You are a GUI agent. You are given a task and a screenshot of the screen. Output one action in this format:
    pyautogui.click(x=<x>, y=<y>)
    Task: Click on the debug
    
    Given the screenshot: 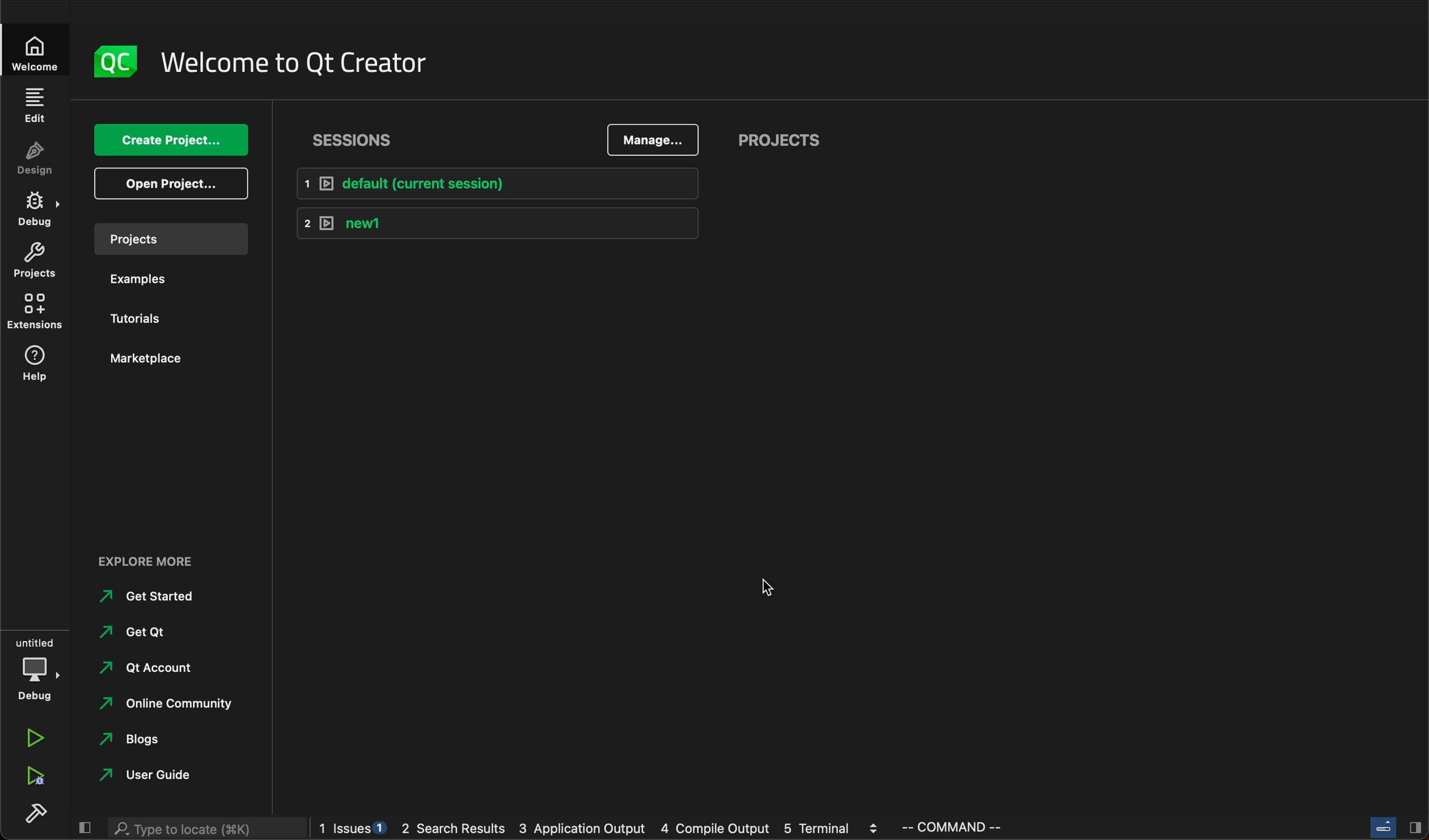 What is the action you would take?
    pyautogui.click(x=38, y=669)
    